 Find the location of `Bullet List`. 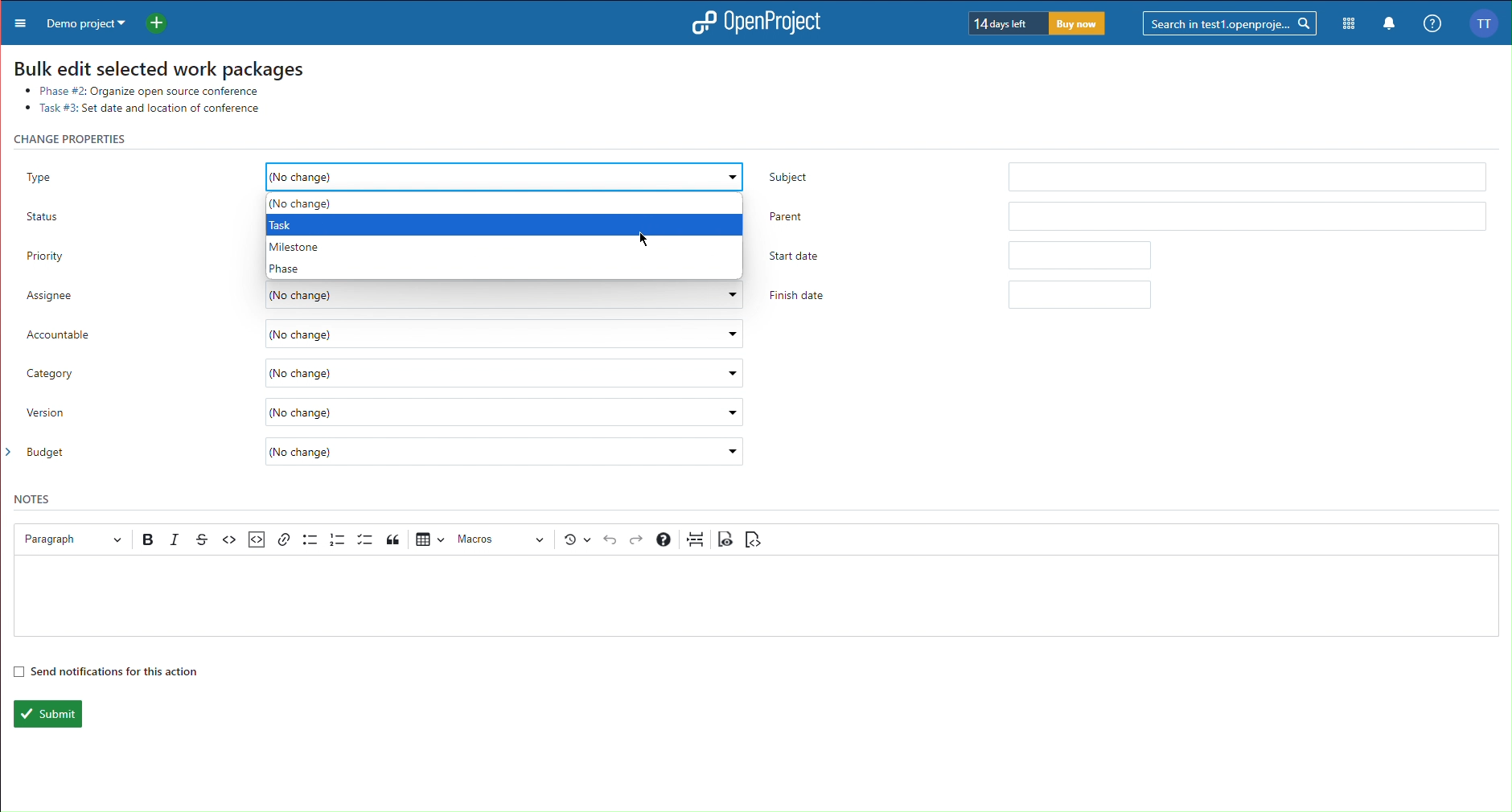

Bullet List is located at coordinates (310, 539).